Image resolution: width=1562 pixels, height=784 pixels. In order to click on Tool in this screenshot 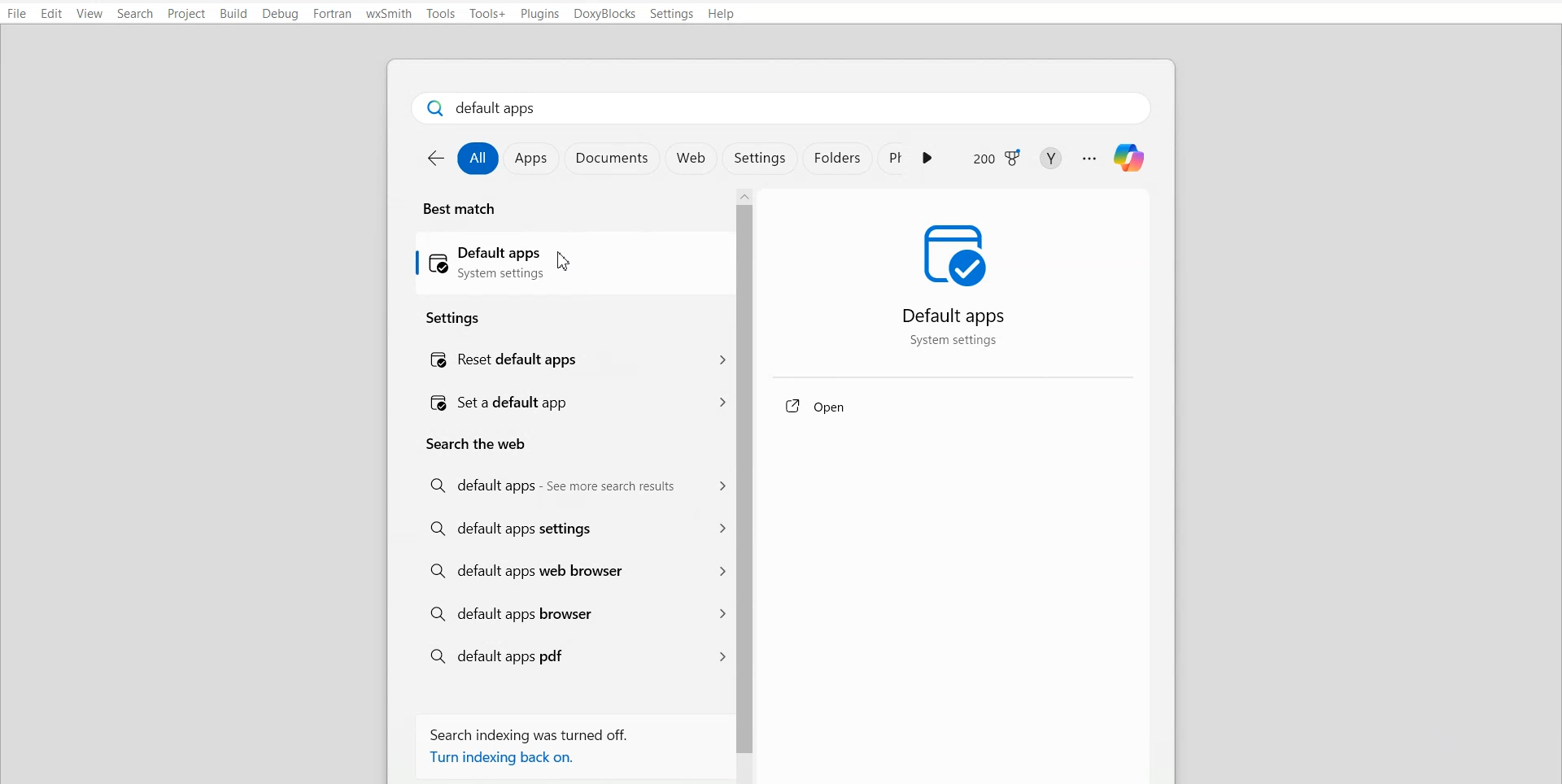, I will do `click(441, 13)`.